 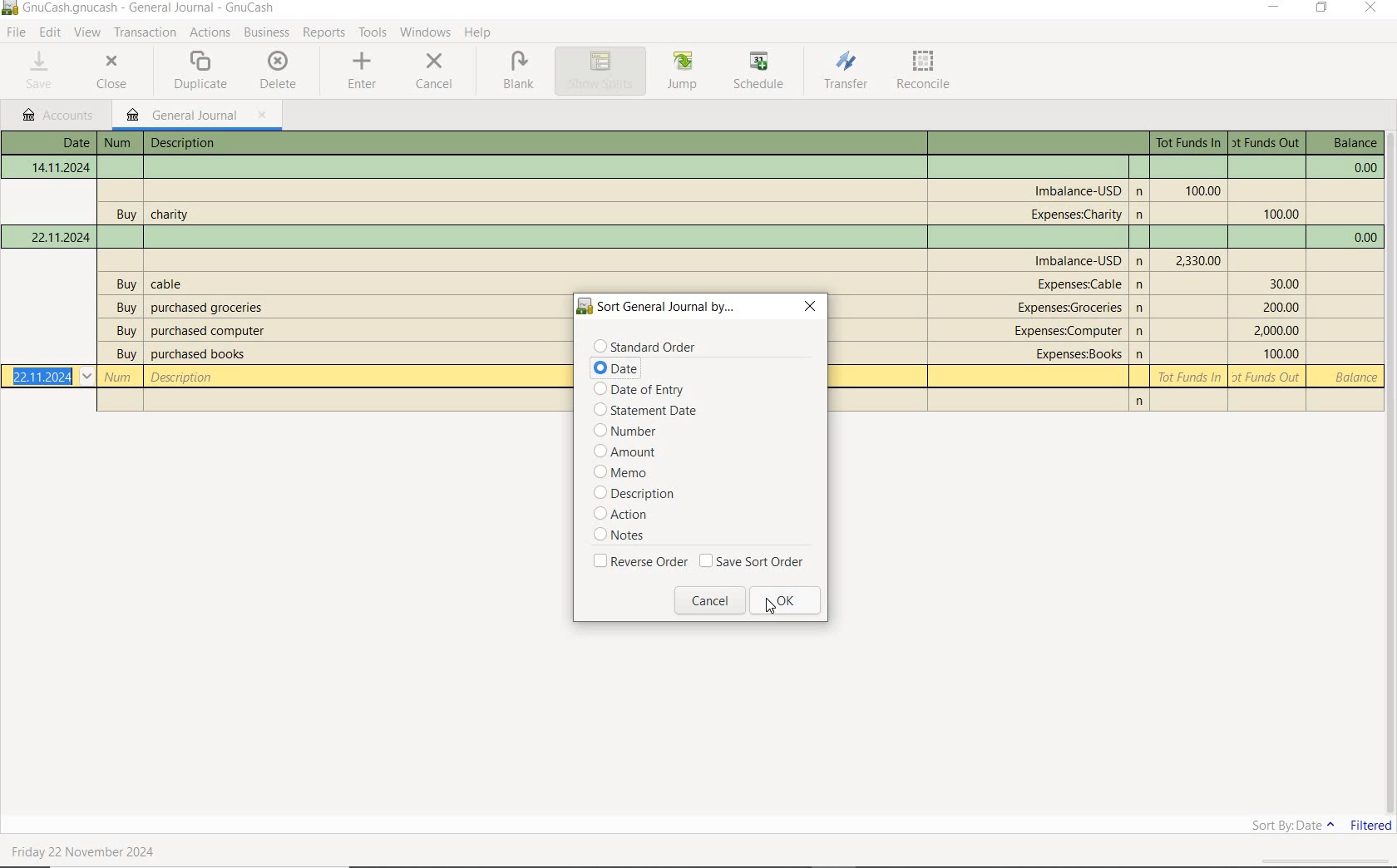 What do you see at coordinates (127, 308) in the screenshot?
I see `buy` at bounding box center [127, 308].